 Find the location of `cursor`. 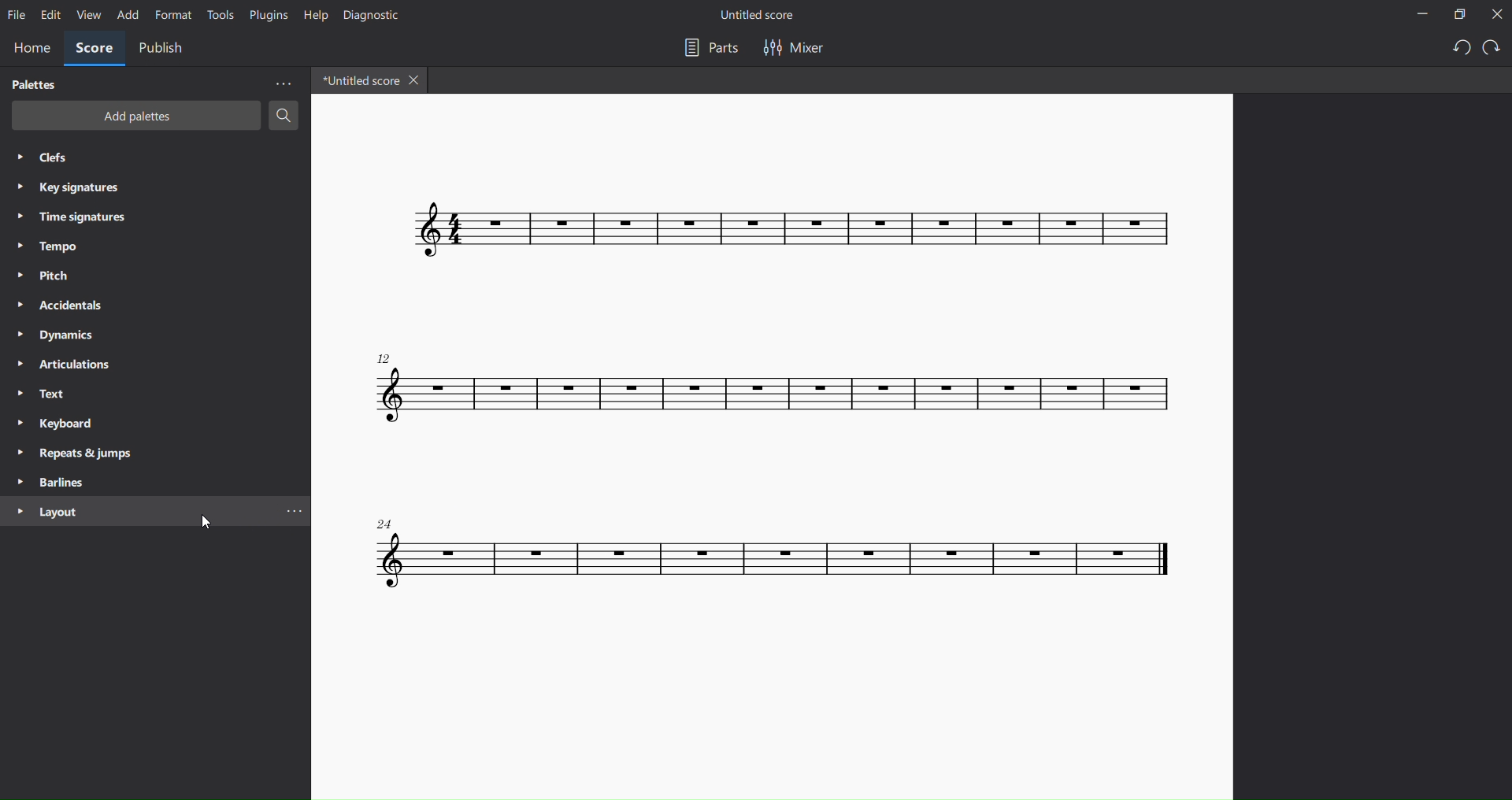

cursor is located at coordinates (201, 528).